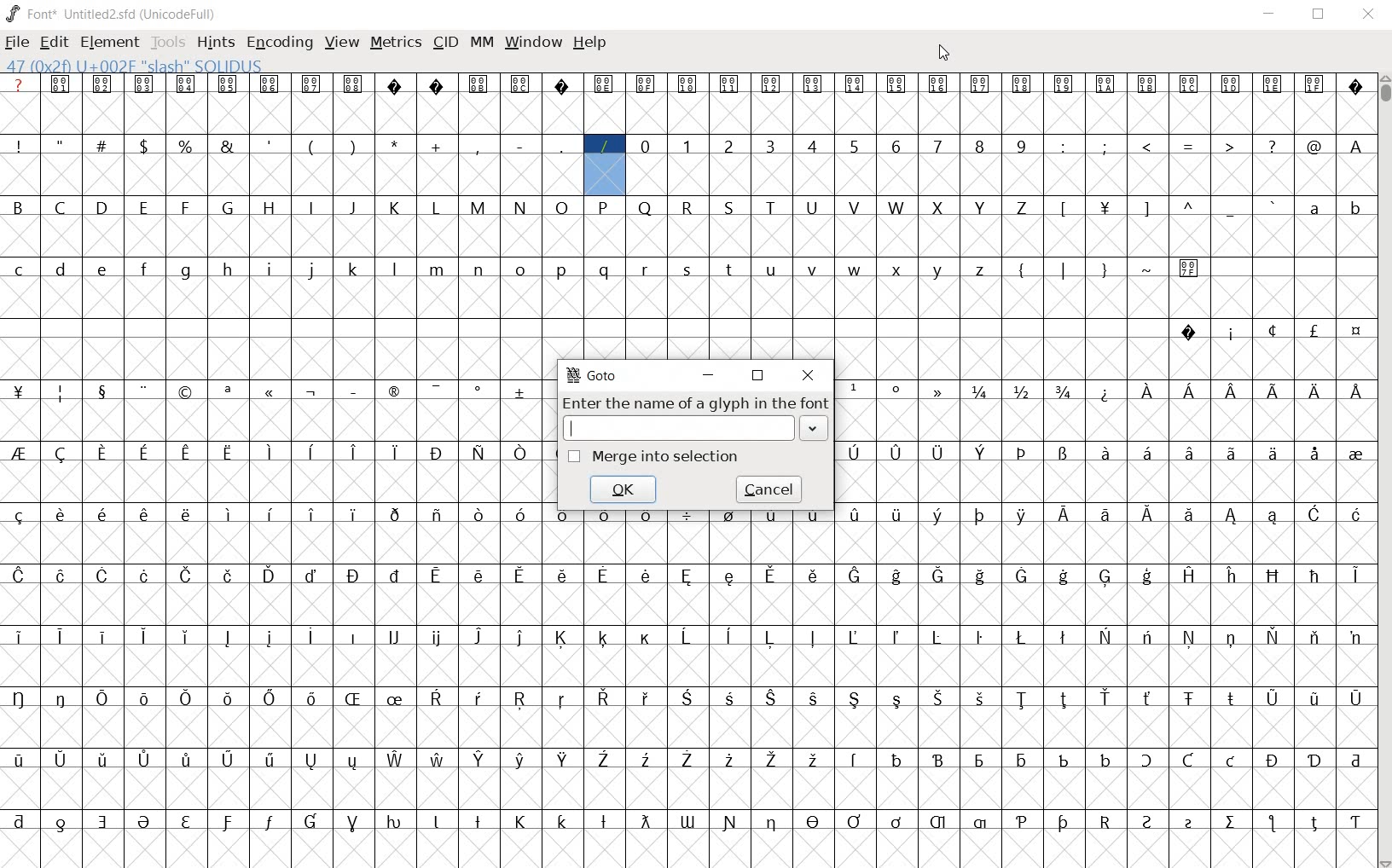 This screenshot has width=1392, height=868. Describe the element at coordinates (478, 453) in the screenshot. I see `glyph` at that location.